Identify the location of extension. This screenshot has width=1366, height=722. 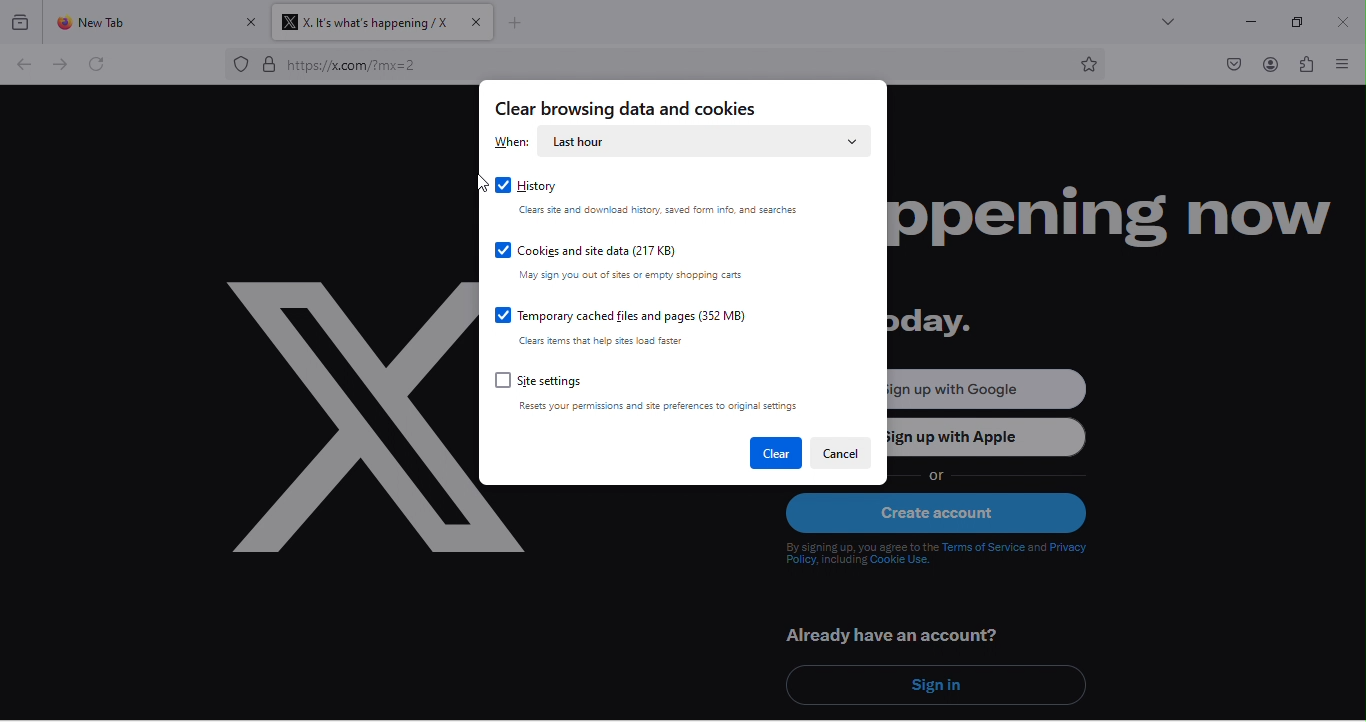
(1307, 65).